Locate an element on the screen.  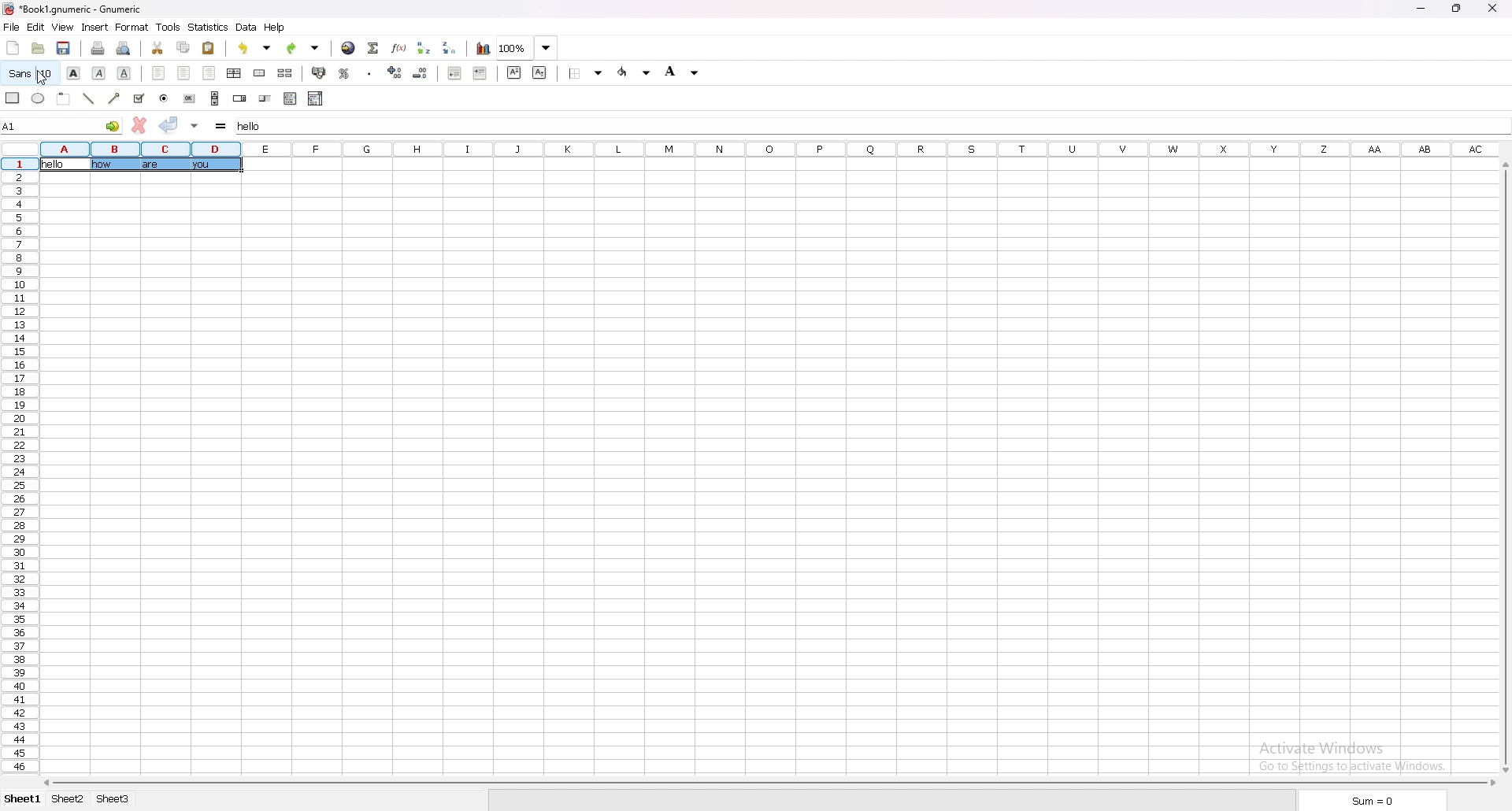
you is located at coordinates (202, 168).